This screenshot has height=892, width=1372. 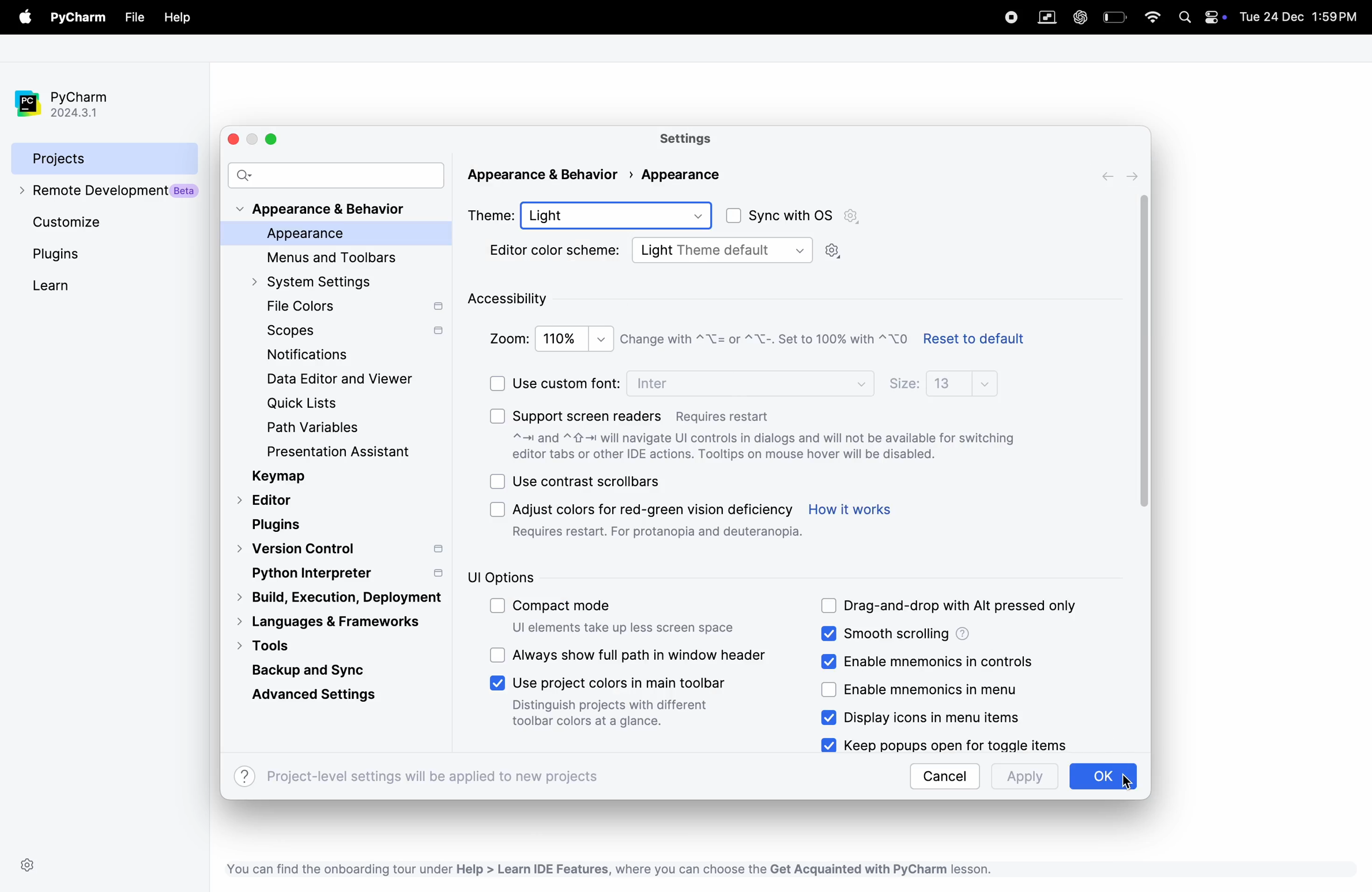 What do you see at coordinates (497, 483) in the screenshot?
I see `check boxes` at bounding box center [497, 483].